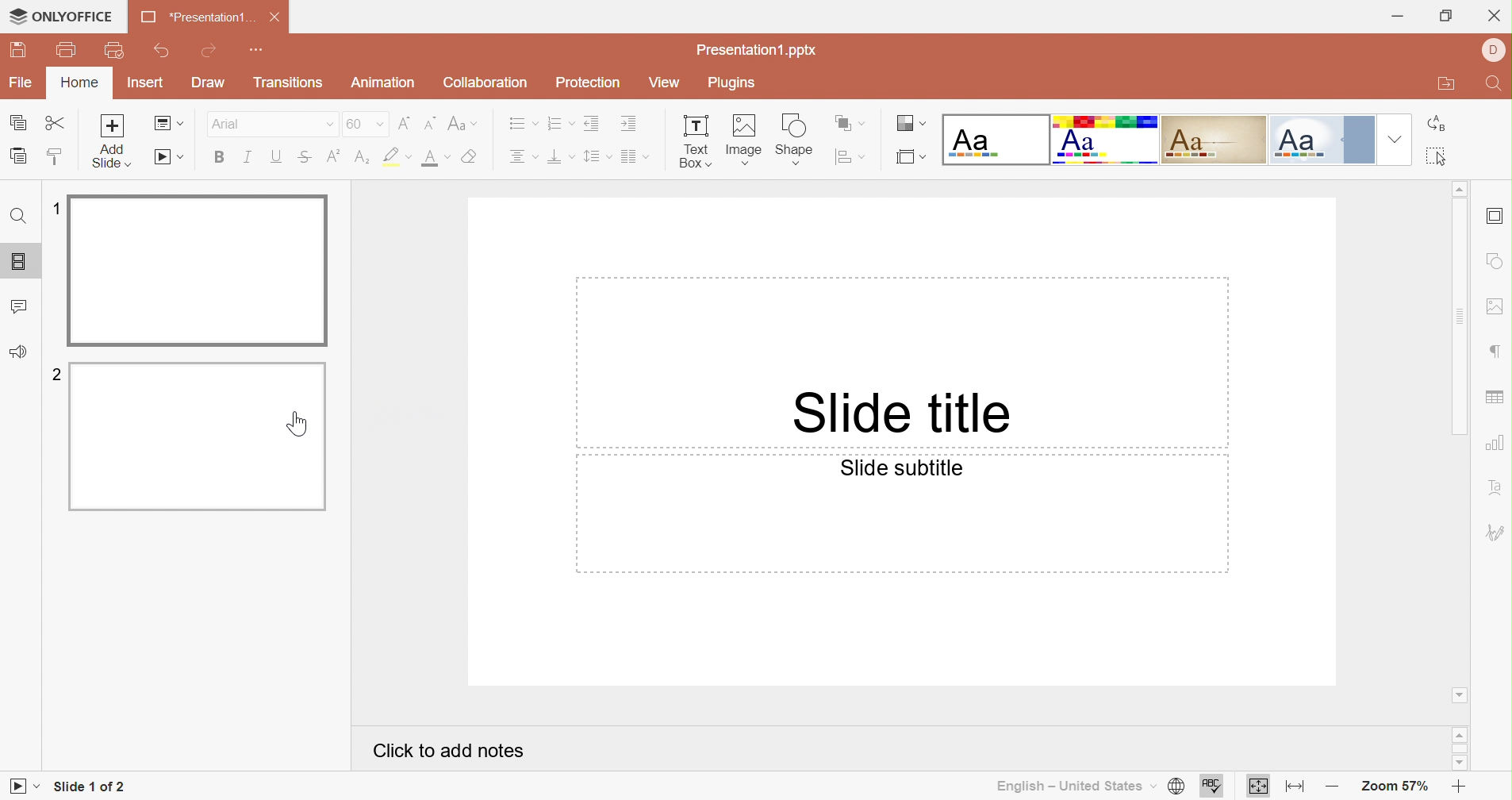  I want to click on Drop Down, so click(1394, 142).